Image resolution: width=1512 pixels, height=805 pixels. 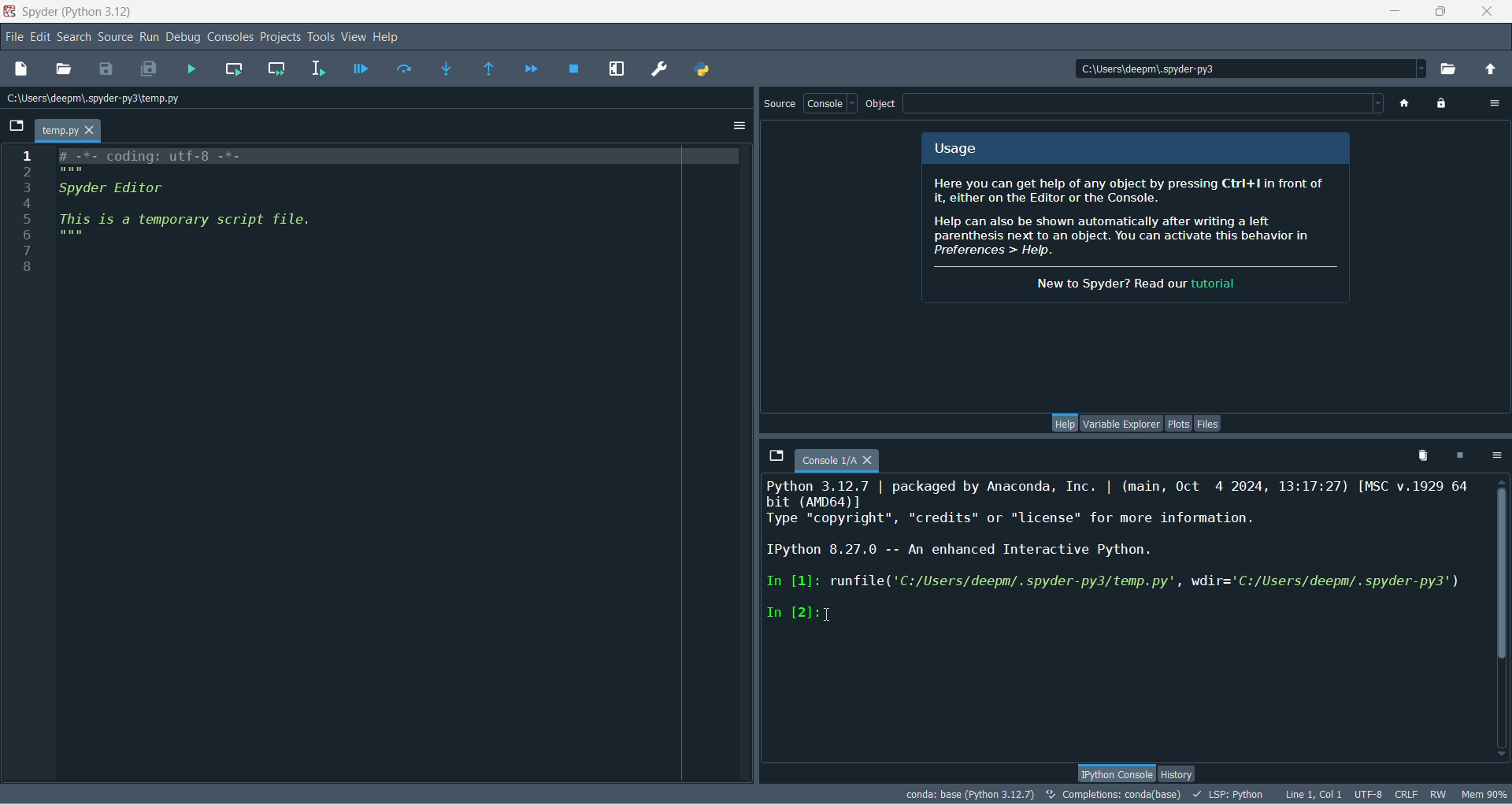 I want to click on plots, so click(x=1179, y=424).